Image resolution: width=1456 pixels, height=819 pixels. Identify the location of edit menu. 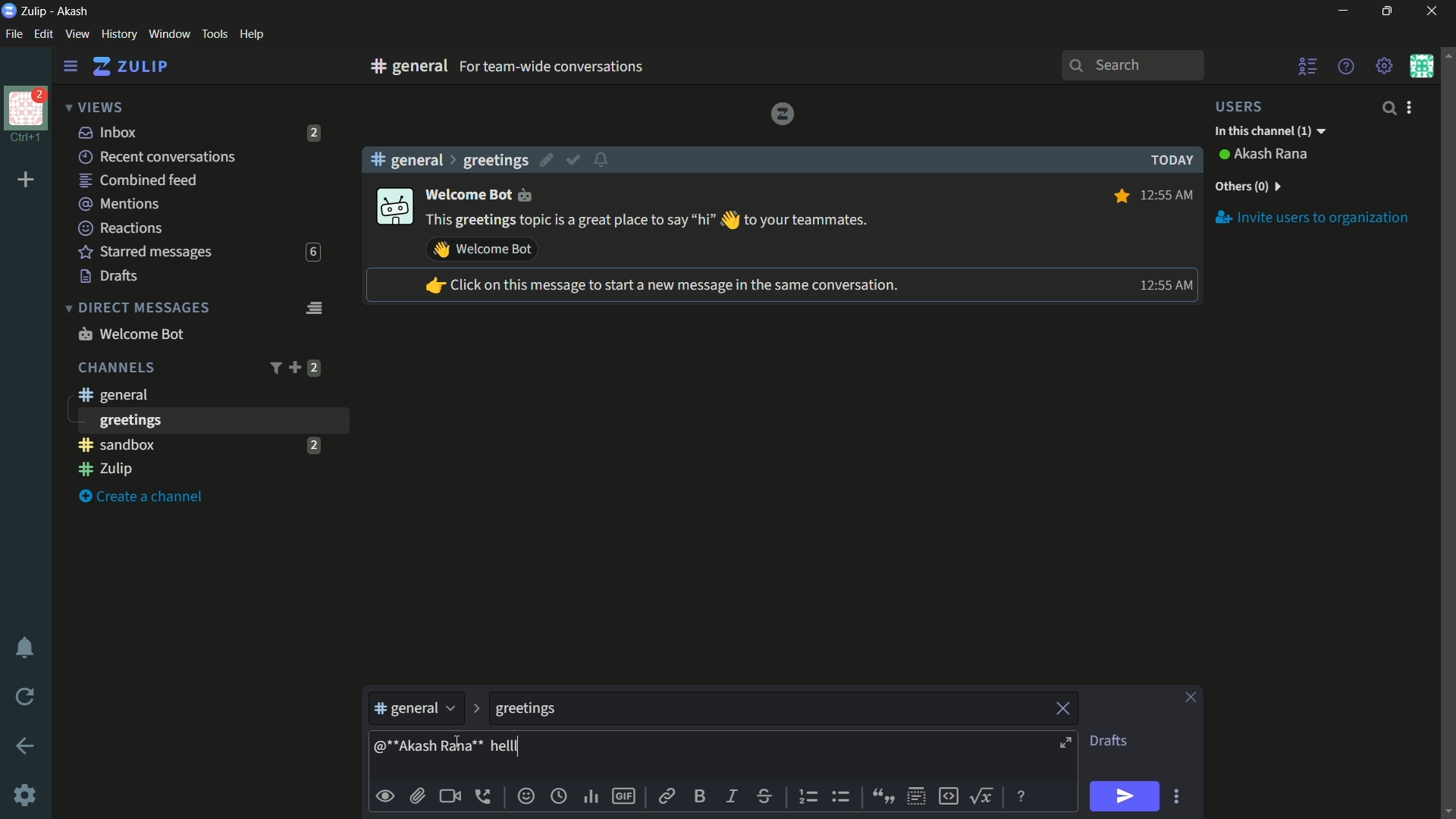
(43, 34).